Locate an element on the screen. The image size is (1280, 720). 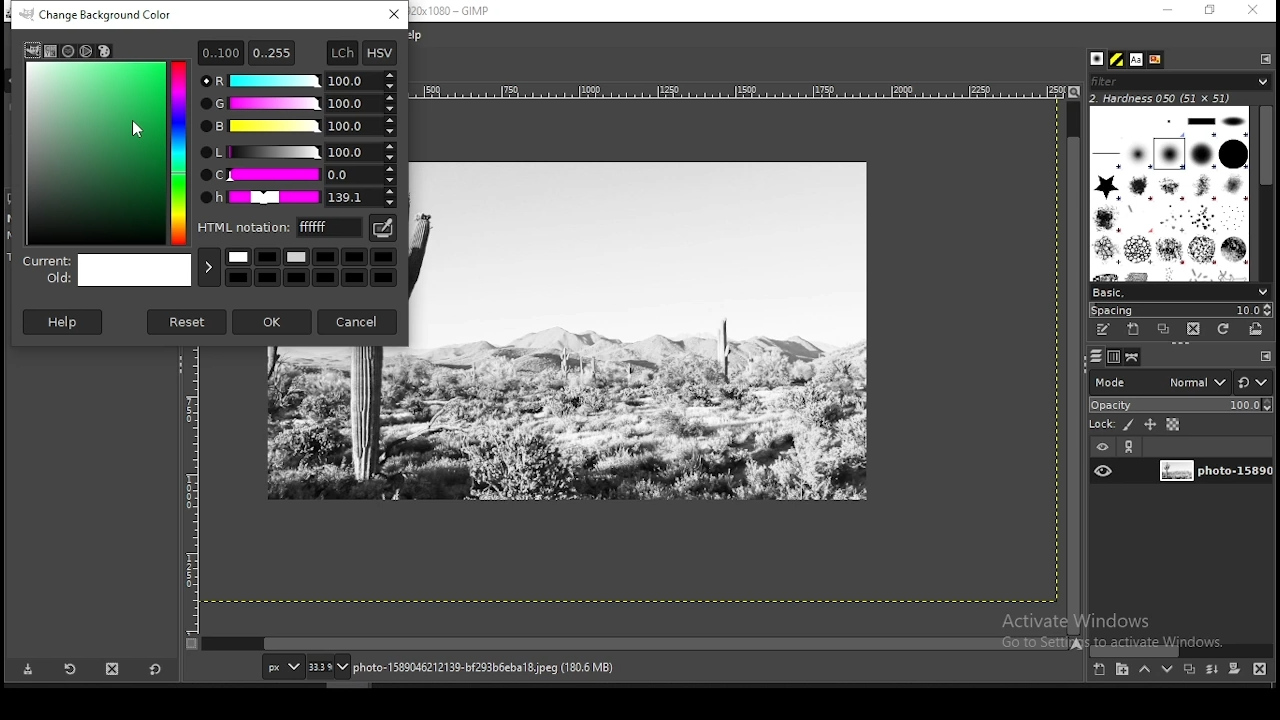
configure this pane is located at coordinates (1264, 58).